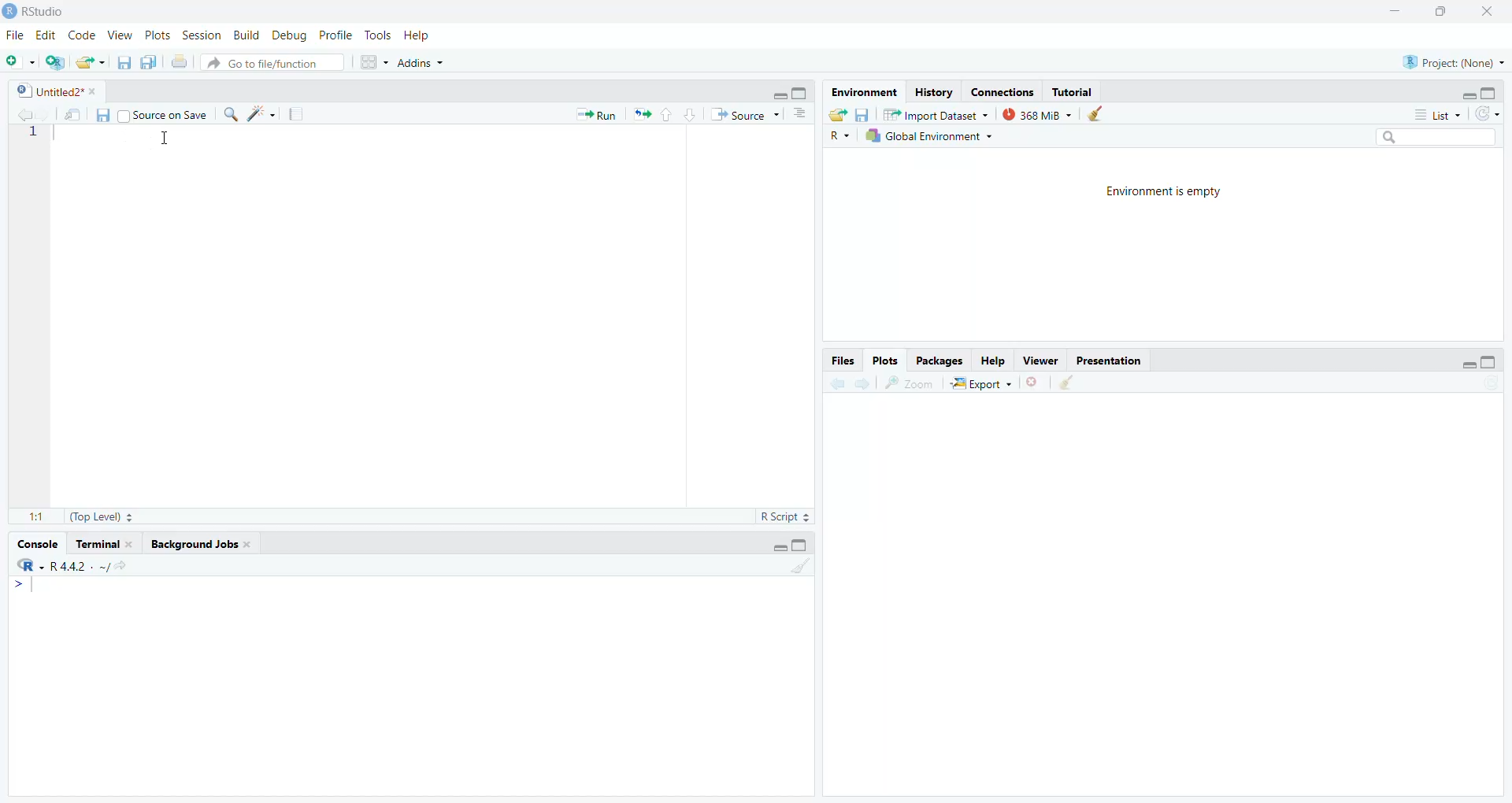 This screenshot has width=1512, height=803. I want to click on maximise, so click(799, 94).